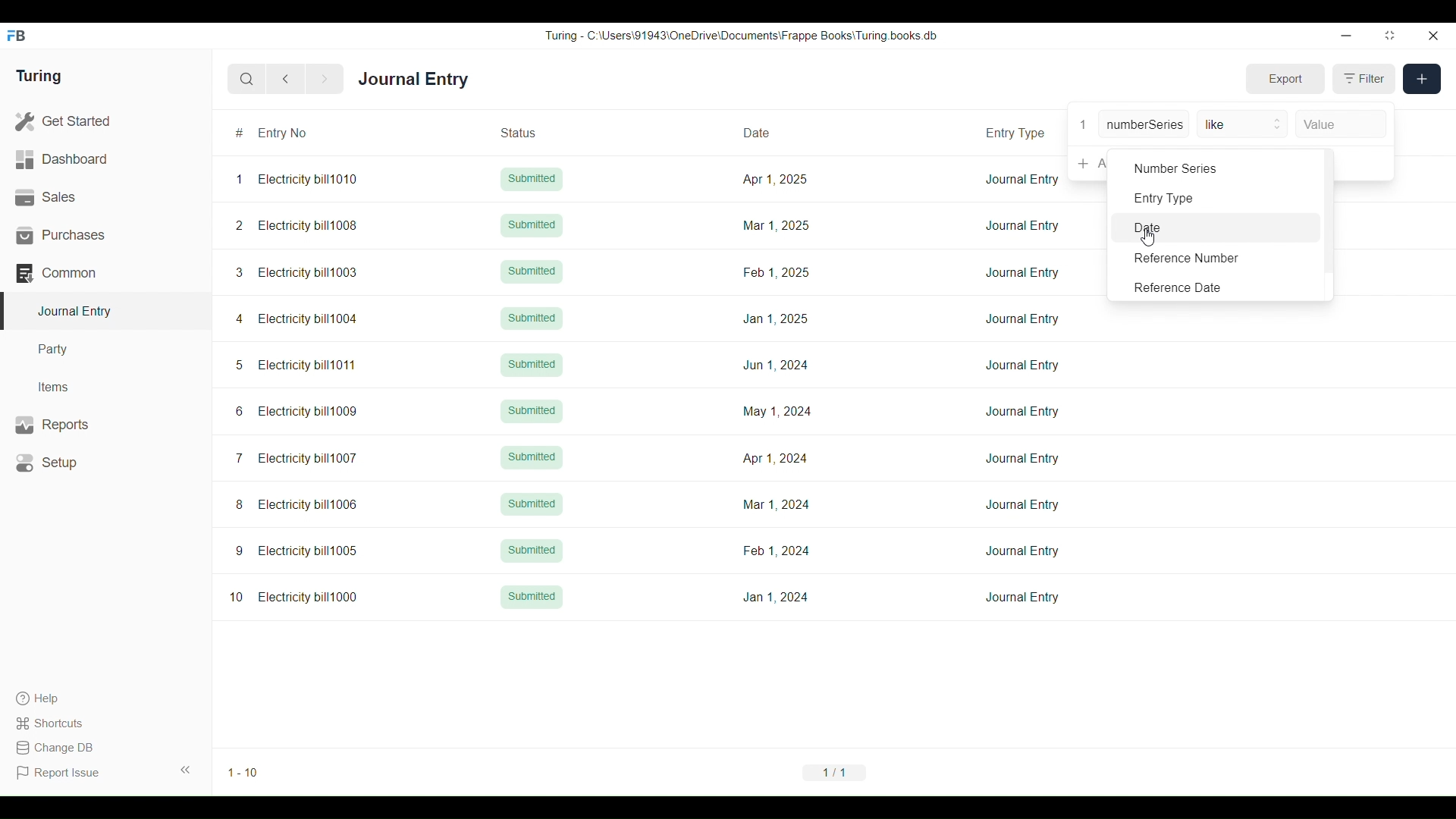  What do you see at coordinates (1022, 179) in the screenshot?
I see `Journal Entry` at bounding box center [1022, 179].